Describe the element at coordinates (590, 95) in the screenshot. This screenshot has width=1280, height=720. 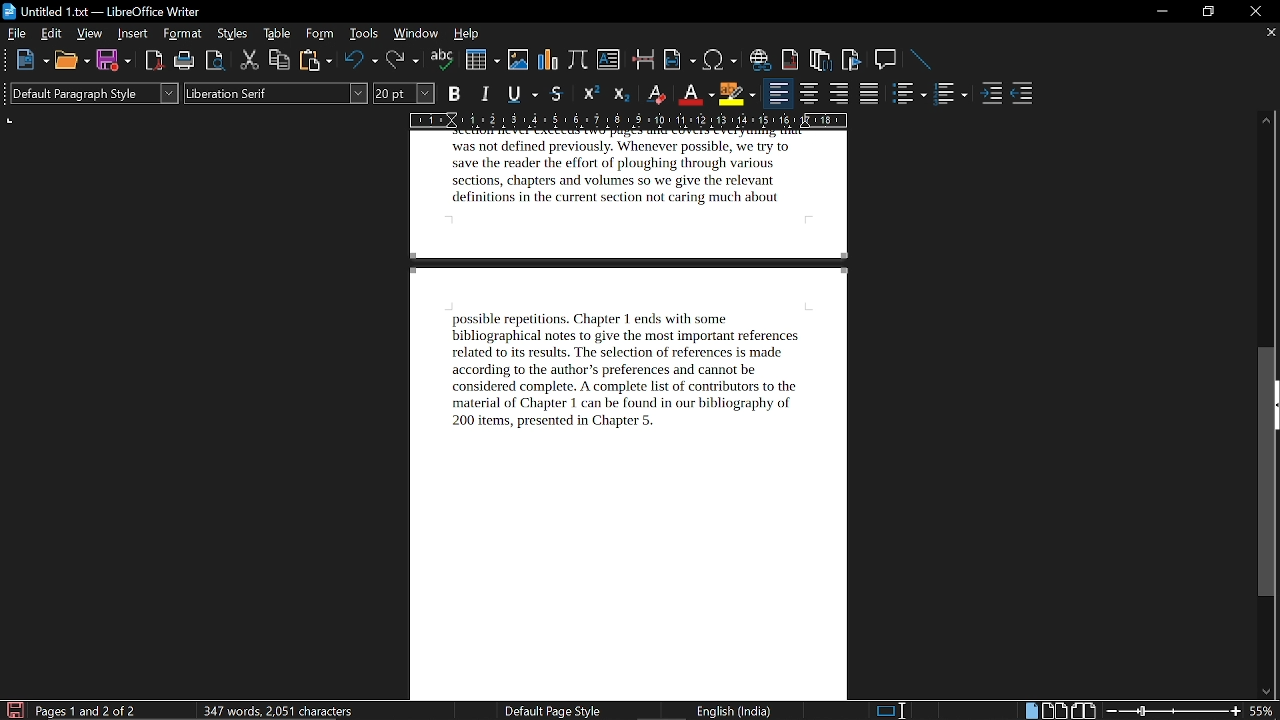
I see `superscript` at that location.